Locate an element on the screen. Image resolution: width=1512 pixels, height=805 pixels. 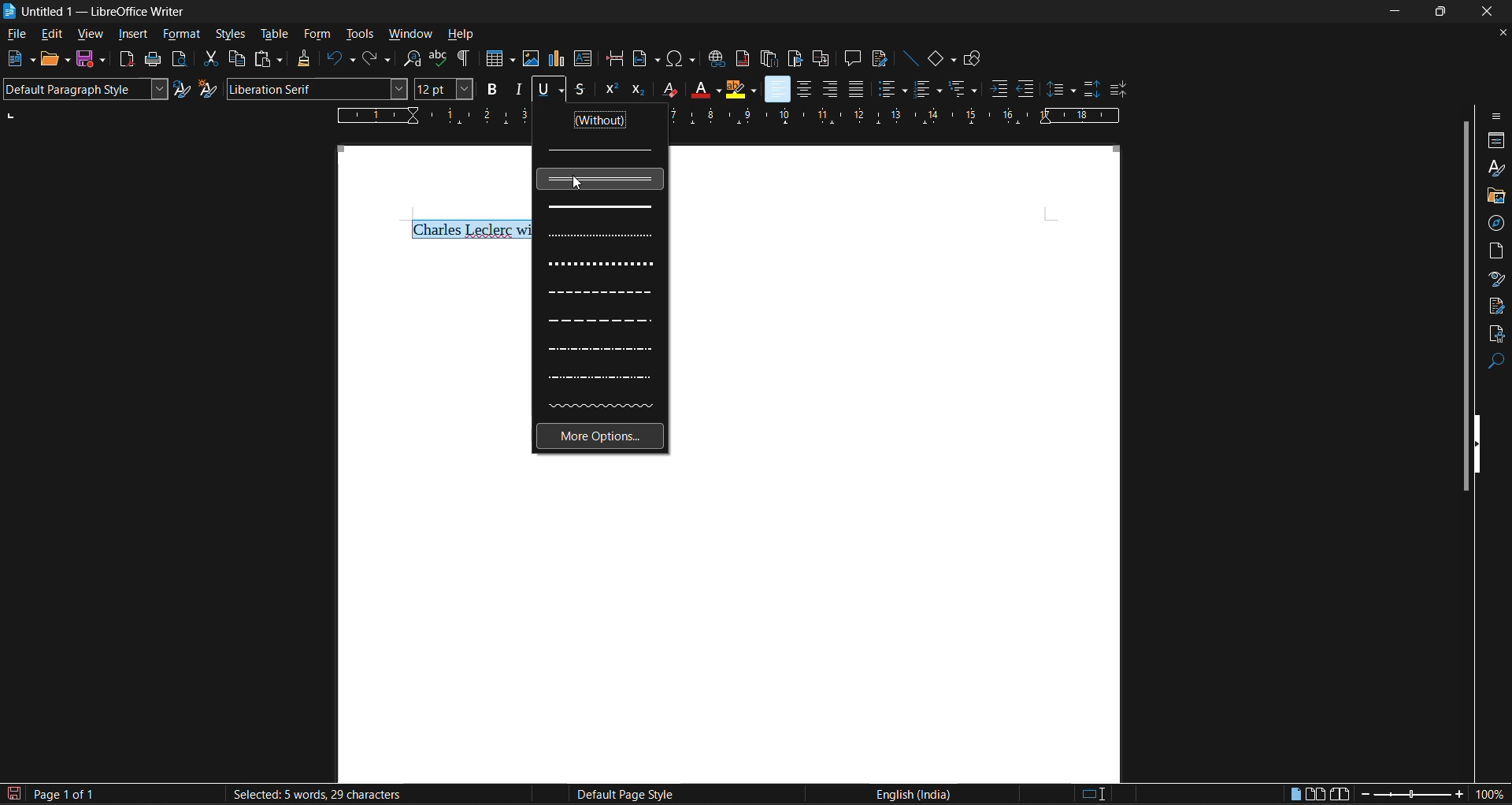
dot dot dash is located at coordinates (600, 376).